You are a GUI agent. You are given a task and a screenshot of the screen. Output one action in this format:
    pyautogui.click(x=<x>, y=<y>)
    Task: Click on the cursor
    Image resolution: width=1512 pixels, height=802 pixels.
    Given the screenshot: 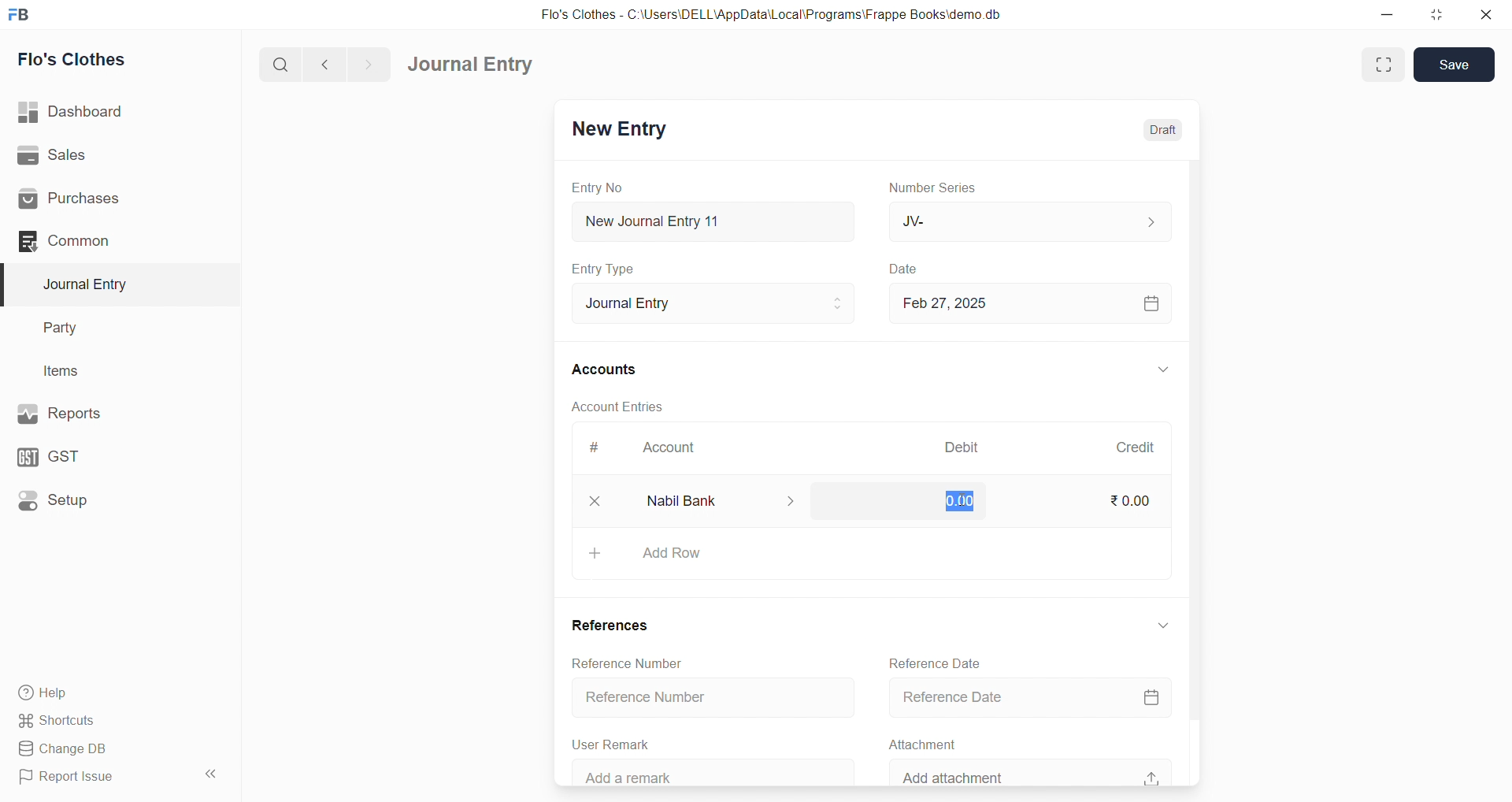 What is the action you would take?
    pyautogui.click(x=967, y=507)
    